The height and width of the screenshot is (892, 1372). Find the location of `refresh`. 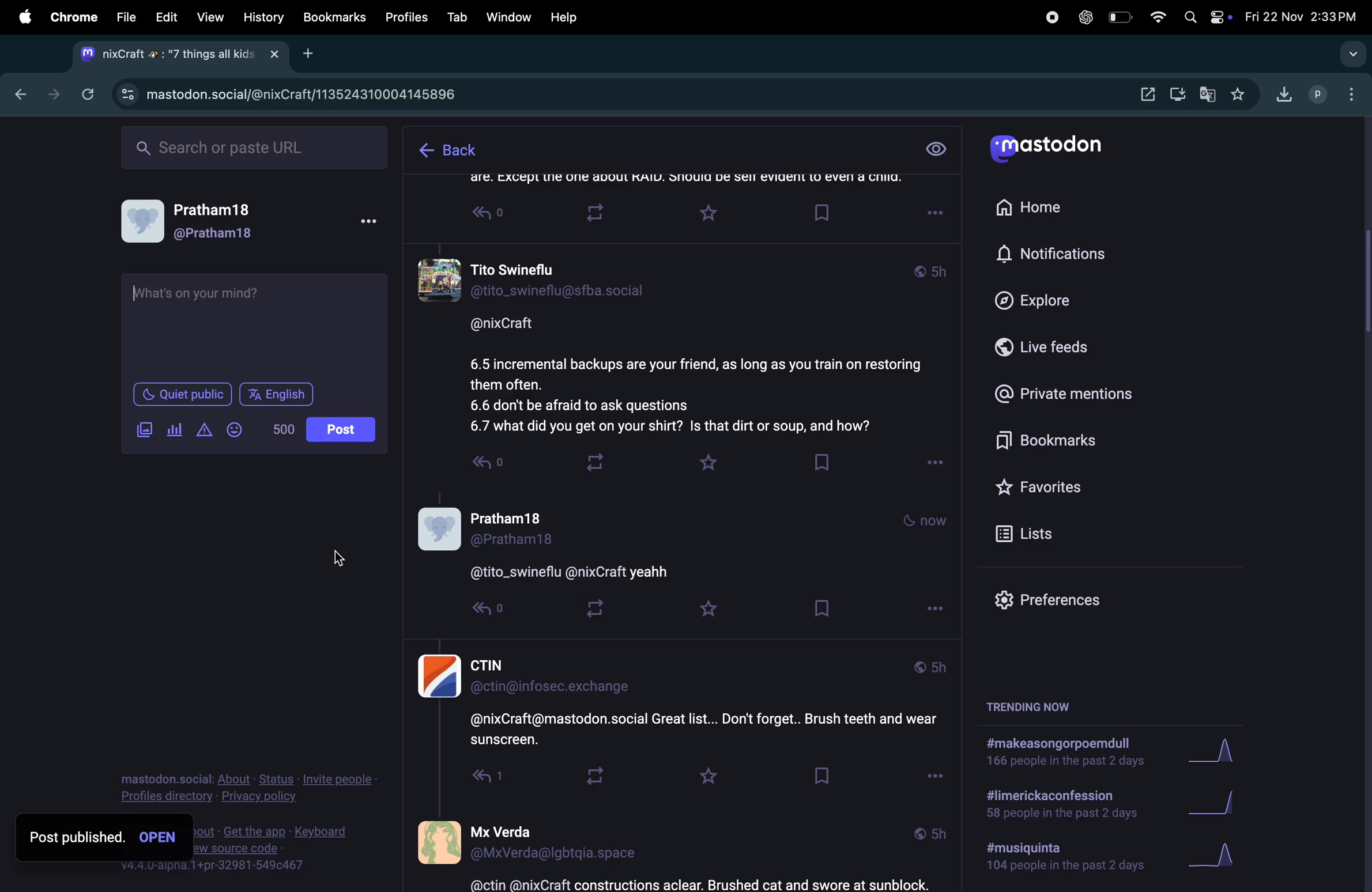

refresh is located at coordinates (88, 95).